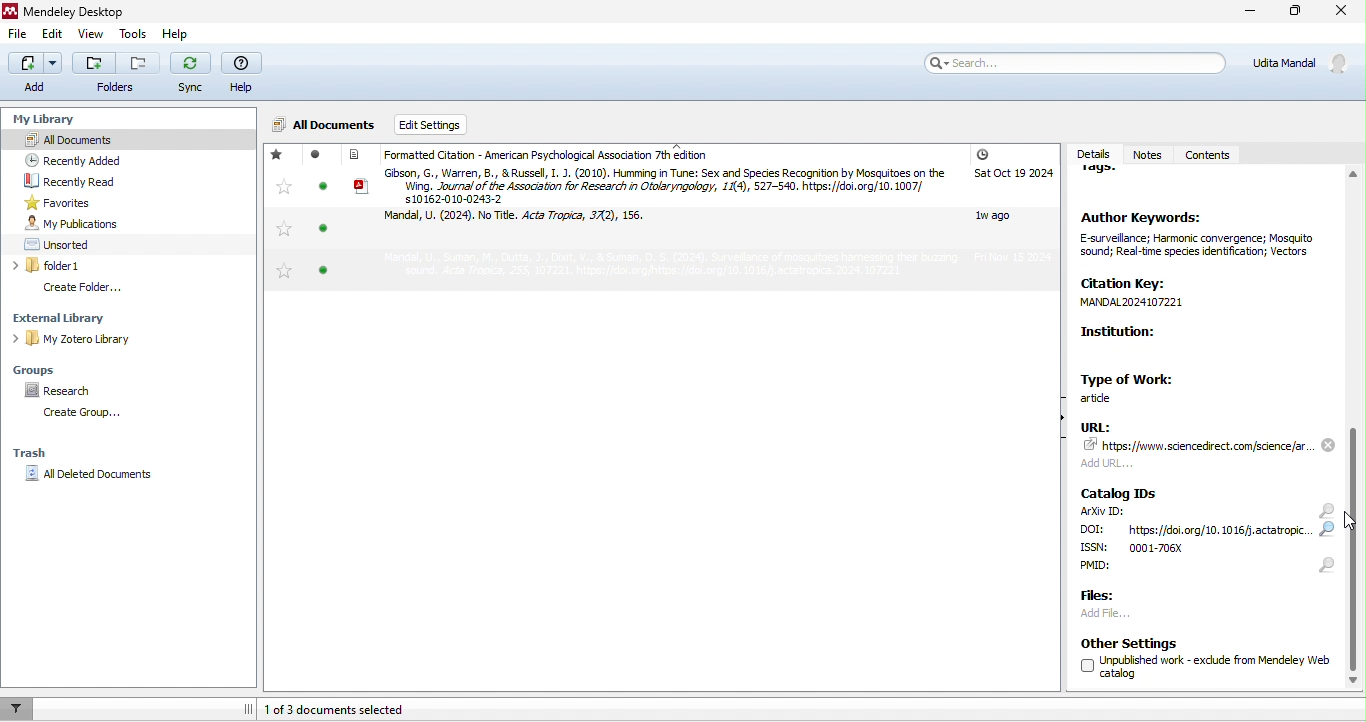 The image size is (1366, 722). What do you see at coordinates (1072, 62) in the screenshot?
I see `search bar` at bounding box center [1072, 62].